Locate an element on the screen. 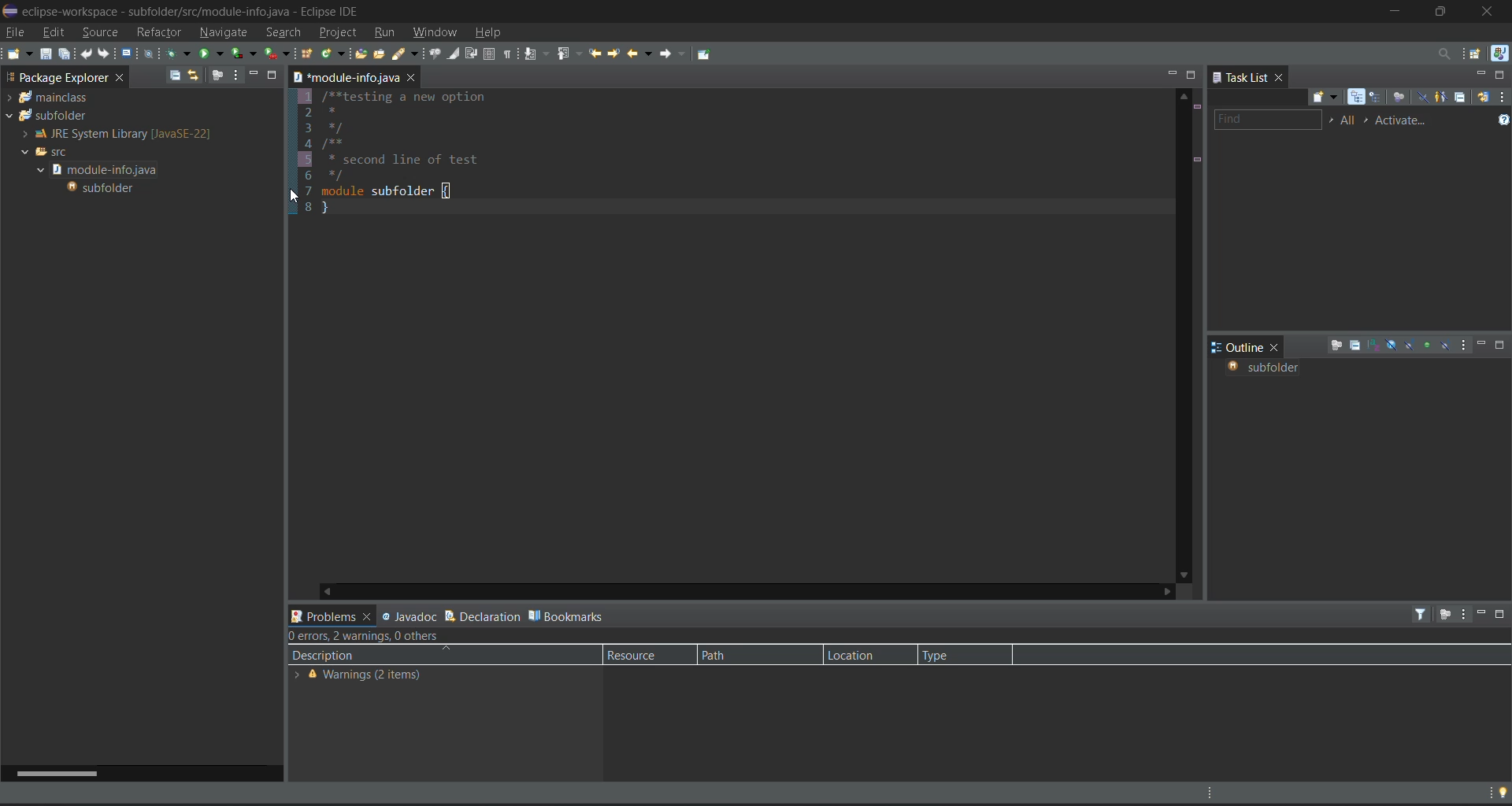 This screenshot has width=1512, height=806.  is located at coordinates (414, 79).